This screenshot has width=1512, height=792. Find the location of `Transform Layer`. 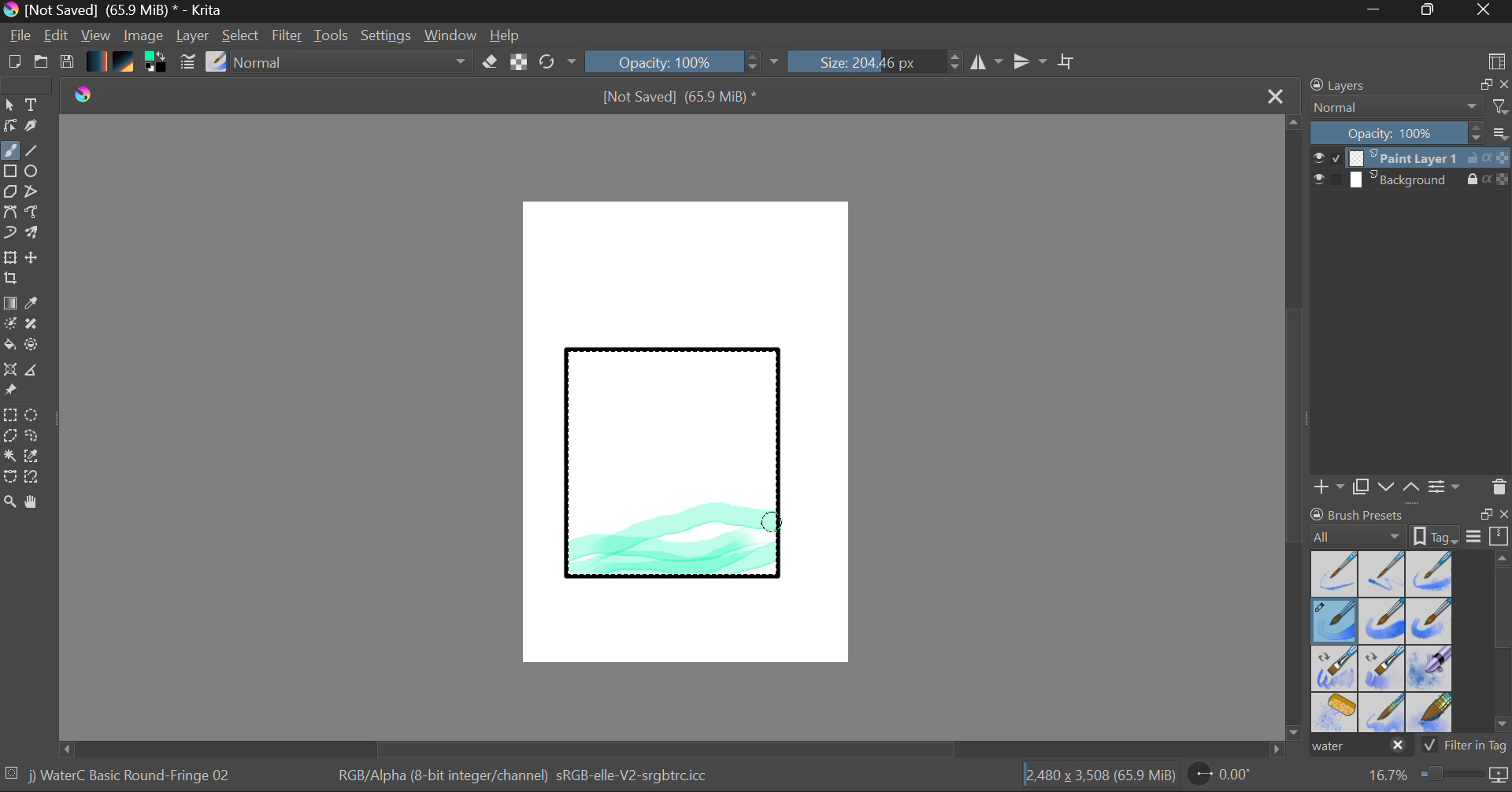

Transform Layer is located at coordinates (9, 256).